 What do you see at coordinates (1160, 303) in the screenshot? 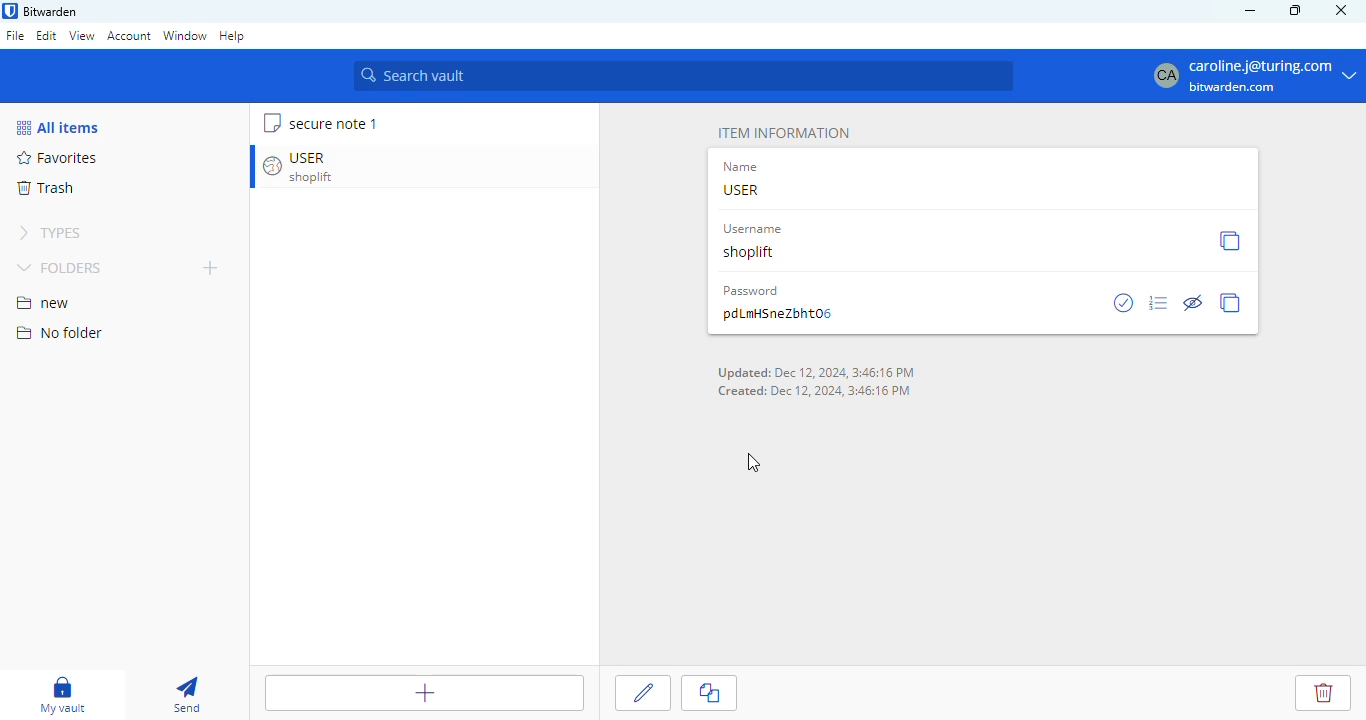
I see `numbering` at bounding box center [1160, 303].